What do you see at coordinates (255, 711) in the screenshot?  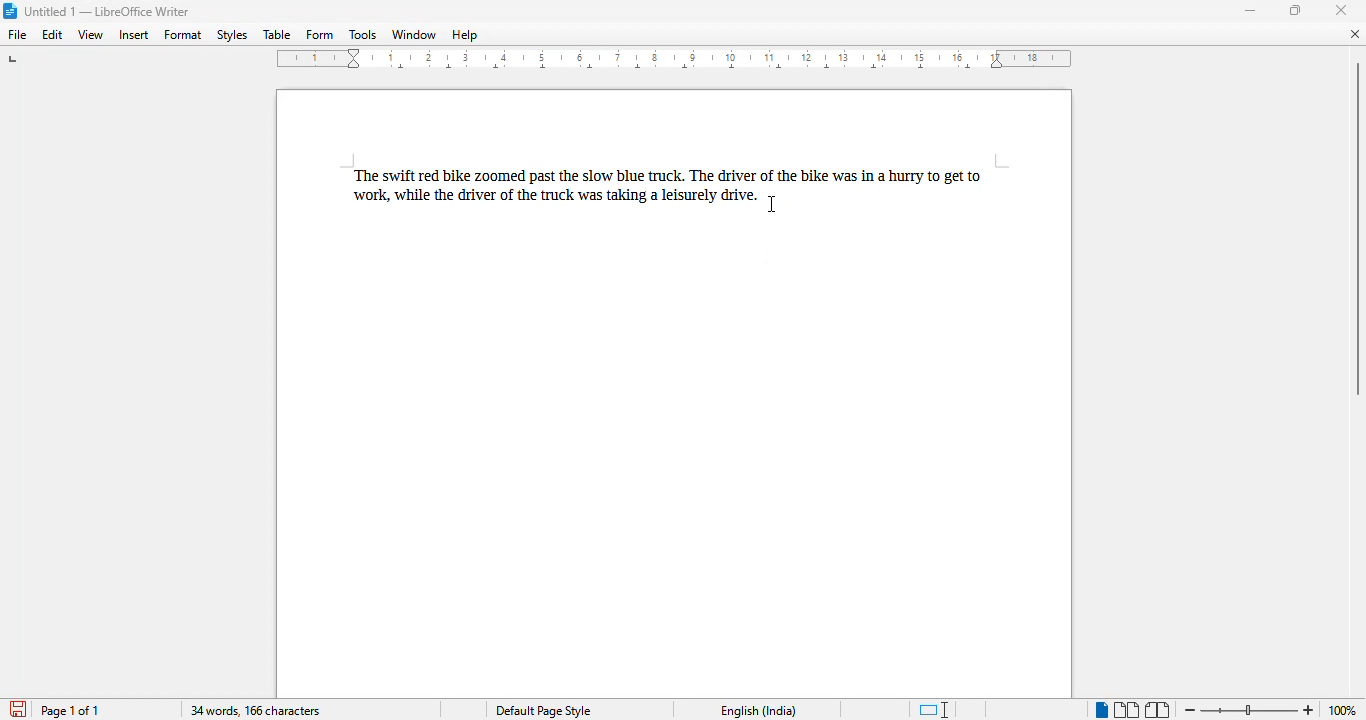 I see `34 words, 166 characters` at bounding box center [255, 711].